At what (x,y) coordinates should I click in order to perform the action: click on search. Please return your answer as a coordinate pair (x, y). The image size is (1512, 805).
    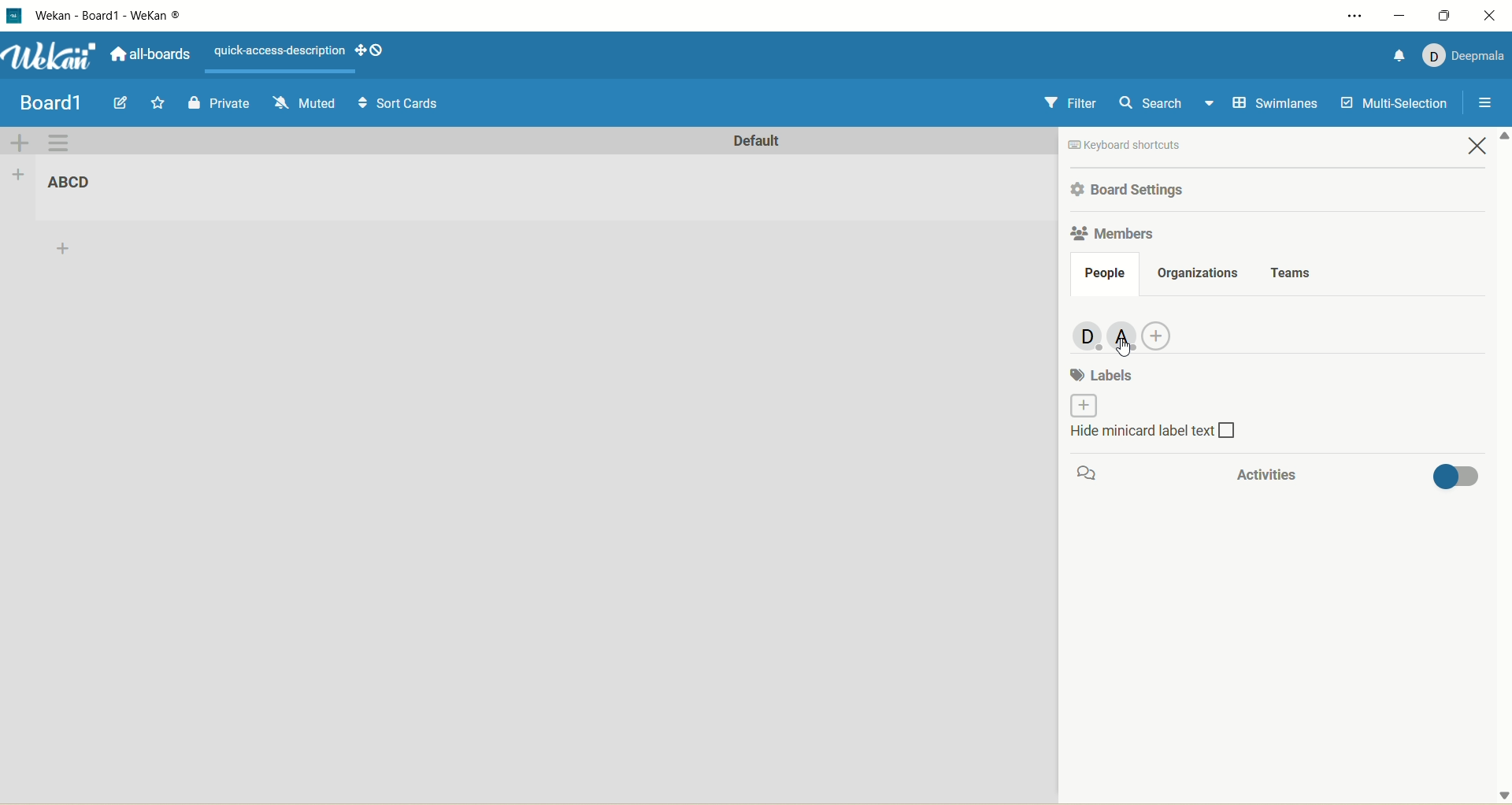
    Looking at the image, I should click on (1165, 105).